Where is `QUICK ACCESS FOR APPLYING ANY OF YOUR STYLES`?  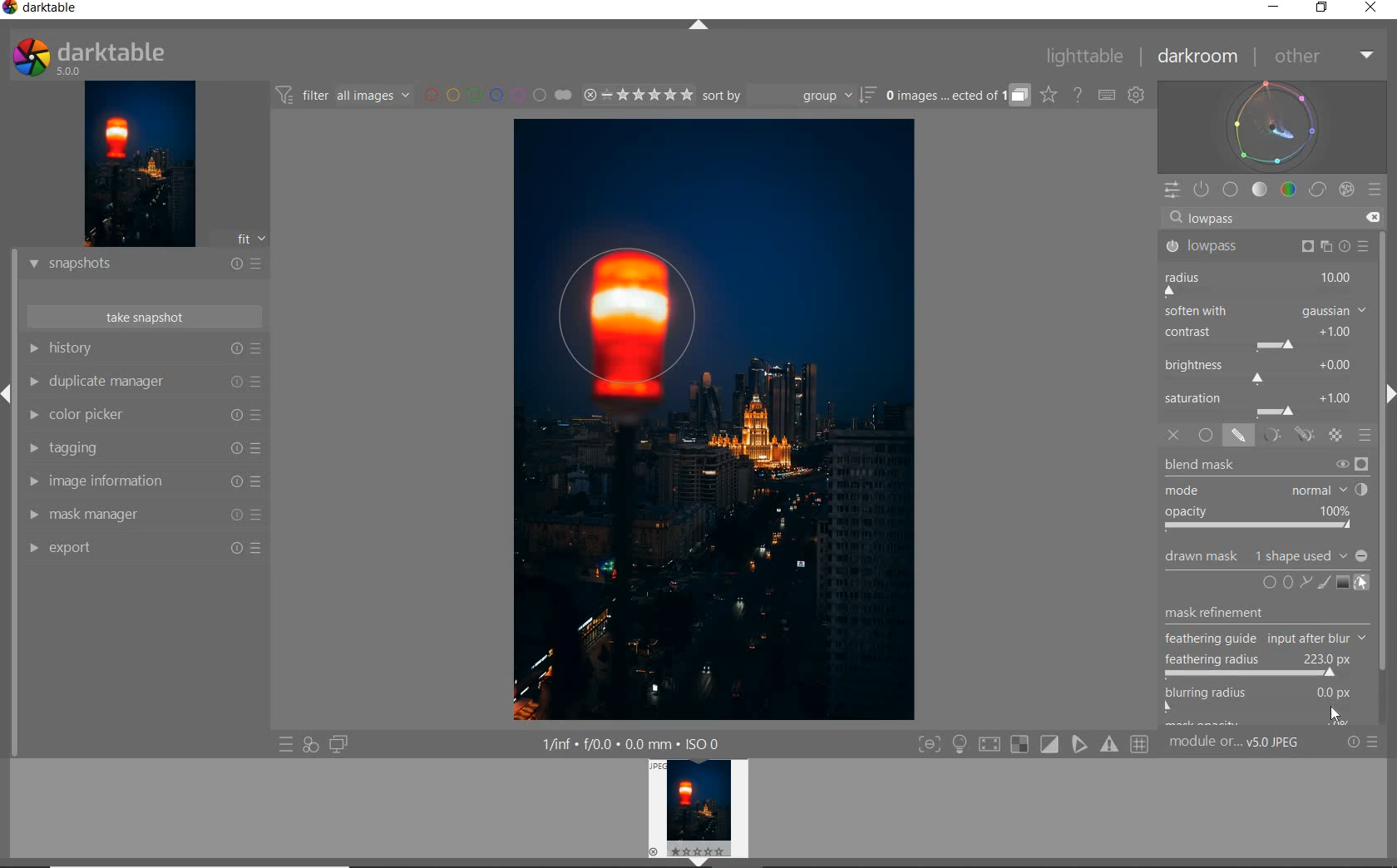 QUICK ACCESS FOR APPLYING ANY OF YOUR STYLES is located at coordinates (309, 745).